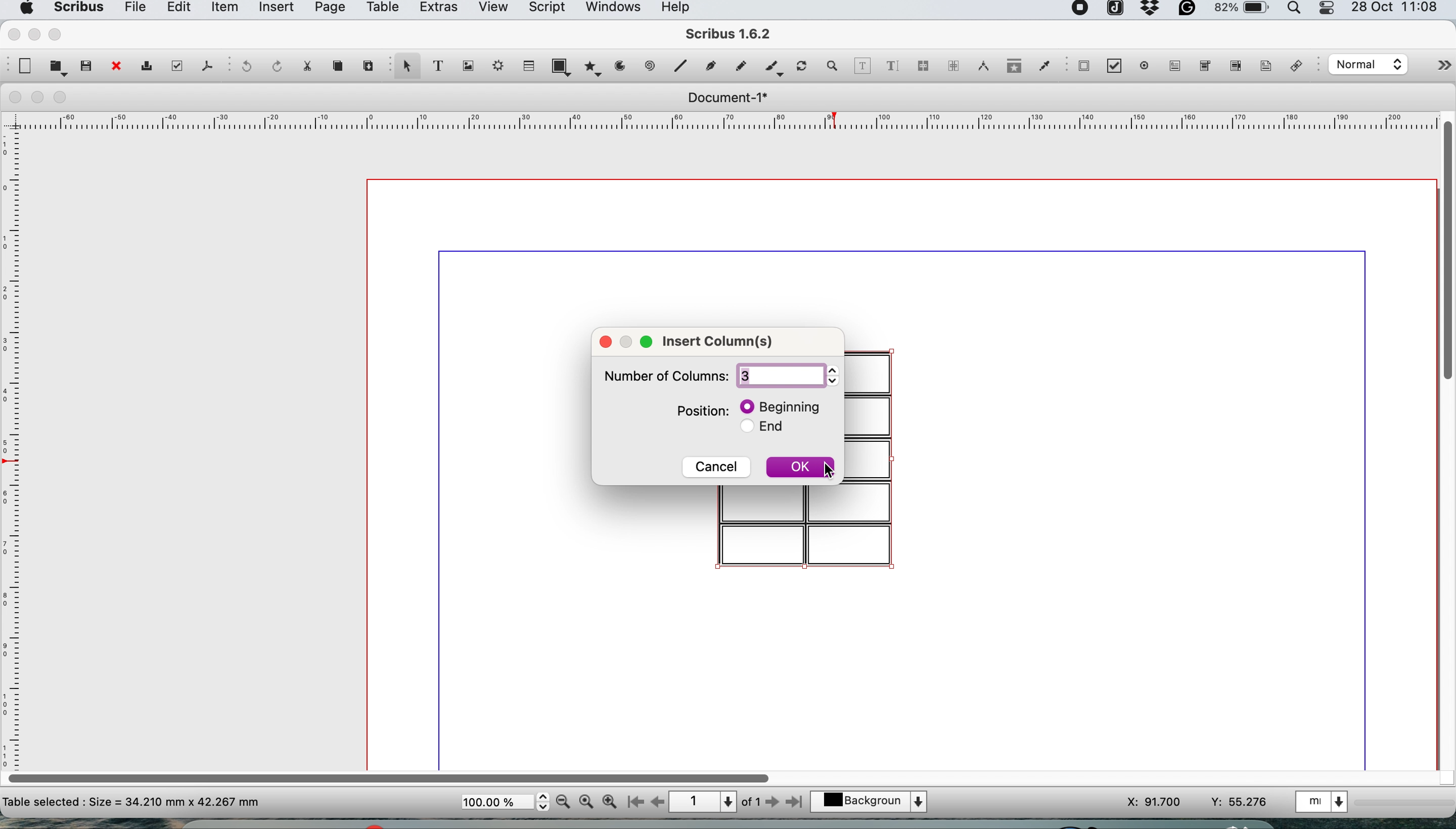  I want to click on line, so click(679, 65).